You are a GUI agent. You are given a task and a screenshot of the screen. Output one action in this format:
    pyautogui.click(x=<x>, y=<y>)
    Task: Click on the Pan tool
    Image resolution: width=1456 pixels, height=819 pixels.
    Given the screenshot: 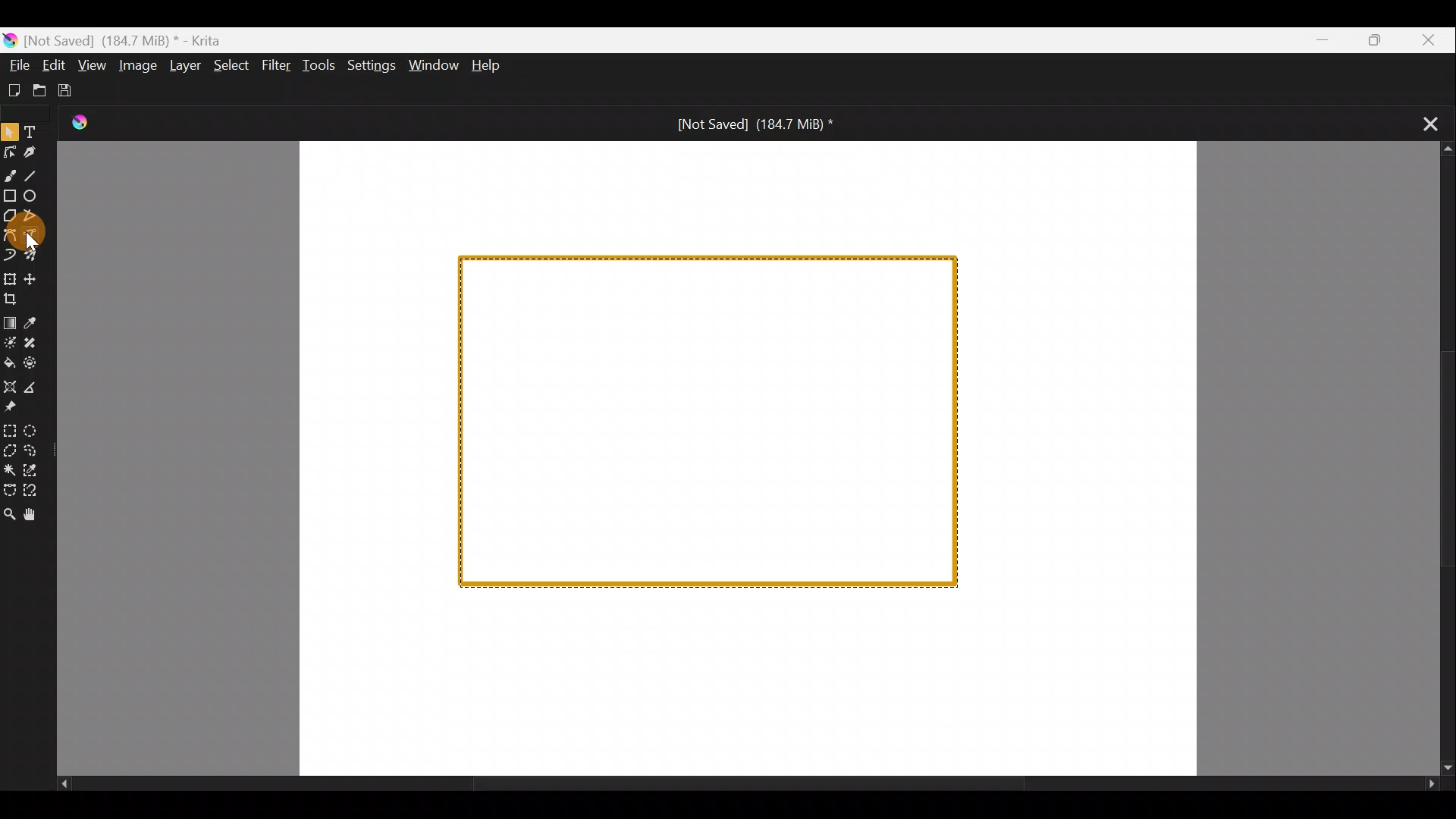 What is the action you would take?
    pyautogui.click(x=39, y=516)
    